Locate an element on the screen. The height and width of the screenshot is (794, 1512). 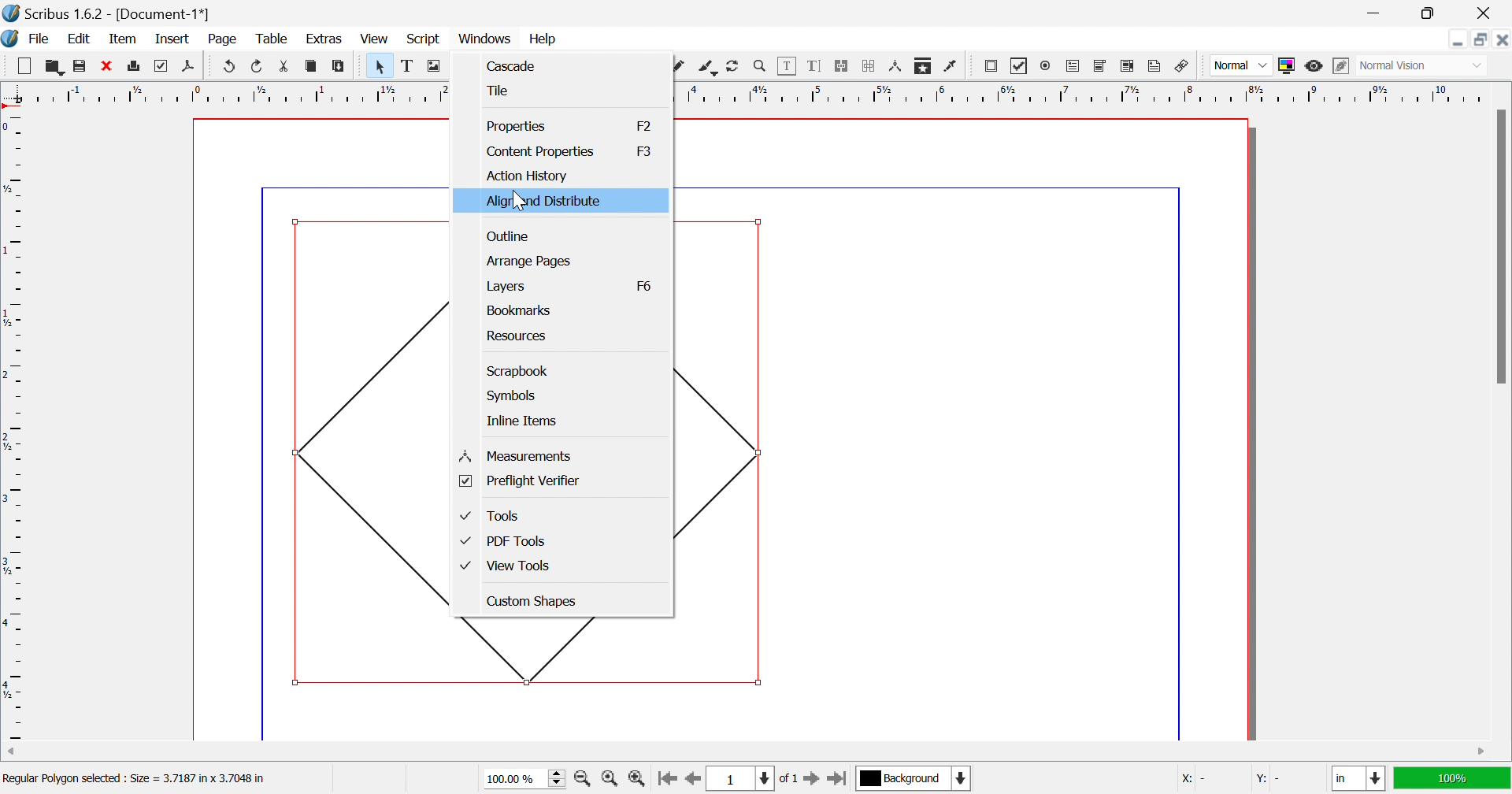
F3 is located at coordinates (645, 151).